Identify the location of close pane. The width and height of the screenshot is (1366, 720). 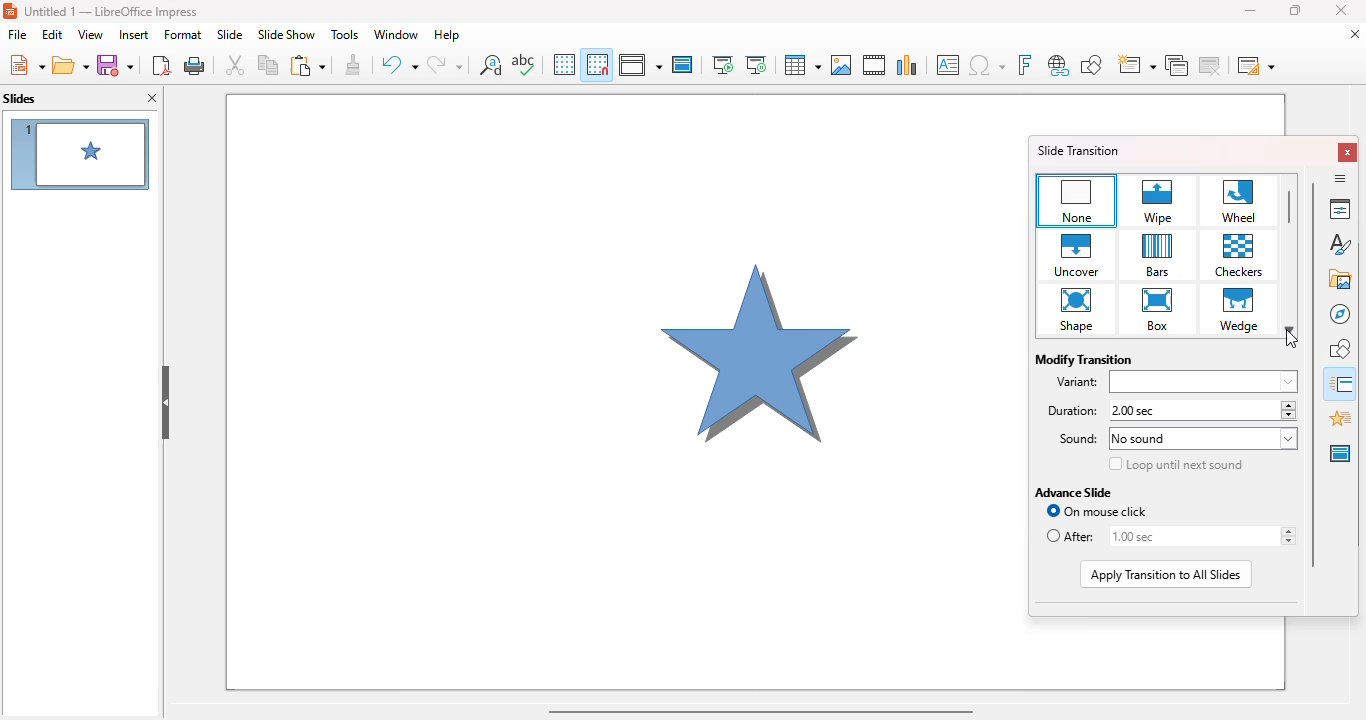
(152, 97).